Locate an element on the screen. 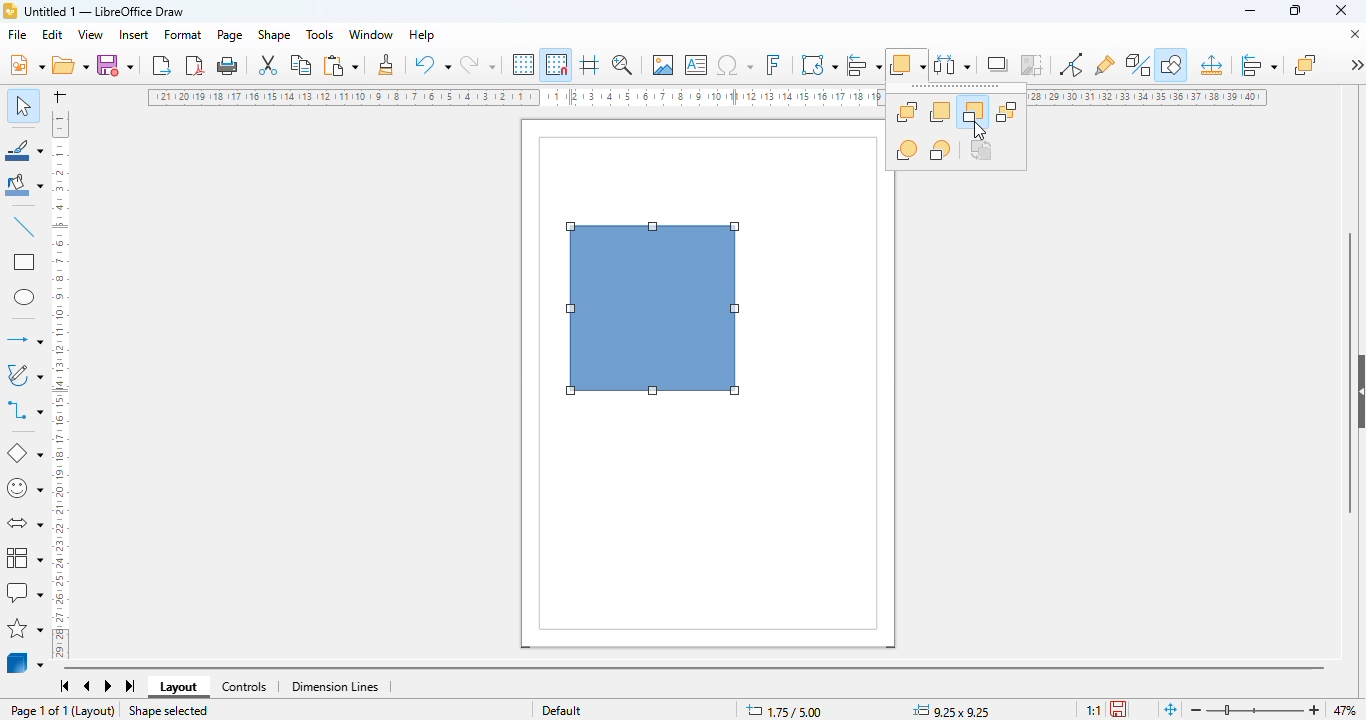 The height and width of the screenshot is (720, 1366). click to save the document is located at coordinates (1118, 708).